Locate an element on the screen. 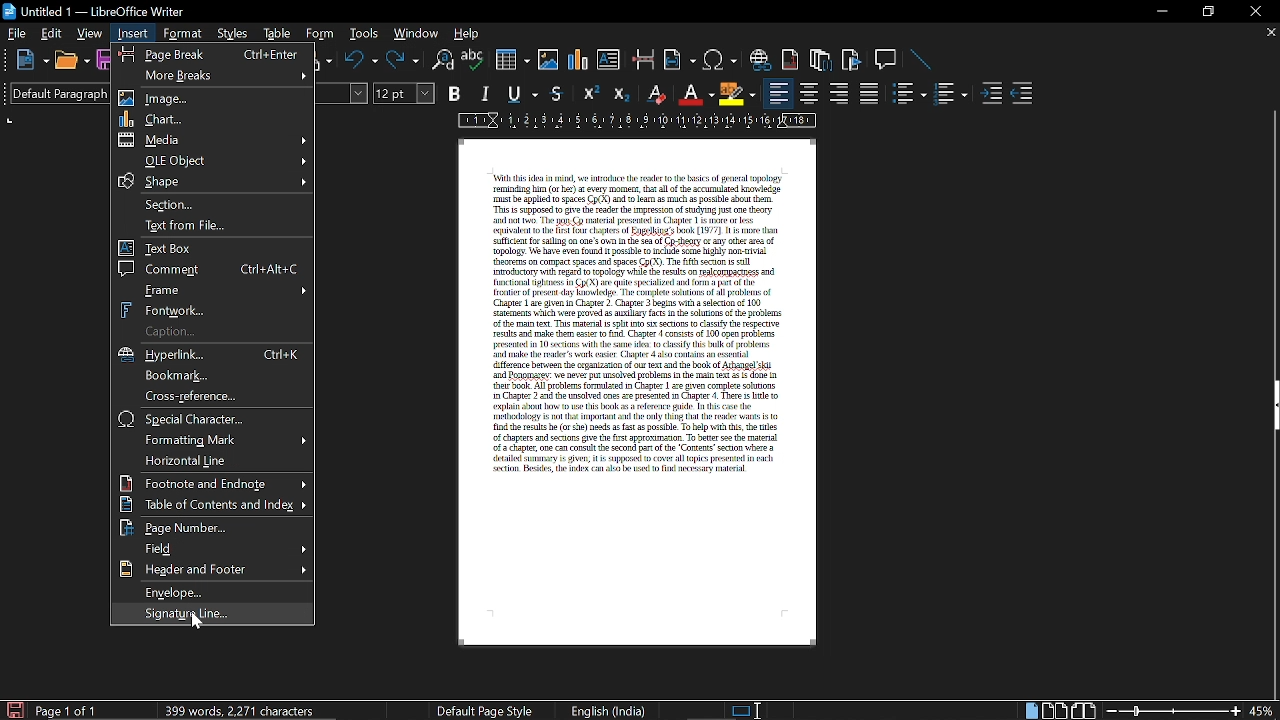  center is located at coordinates (808, 94).